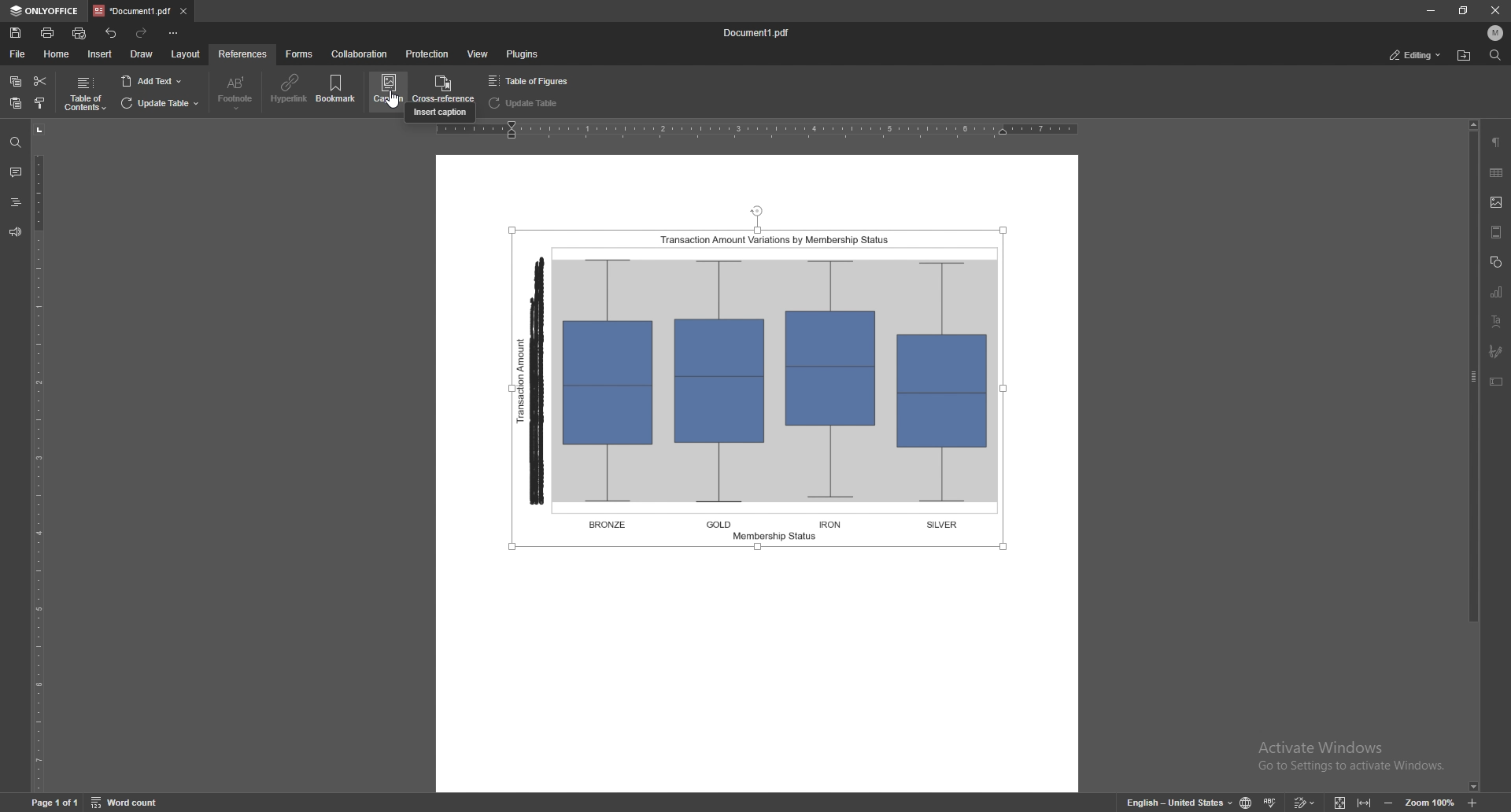 Image resolution: width=1511 pixels, height=812 pixels. What do you see at coordinates (1495, 261) in the screenshot?
I see `shapes` at bounding box center [1495, 261].